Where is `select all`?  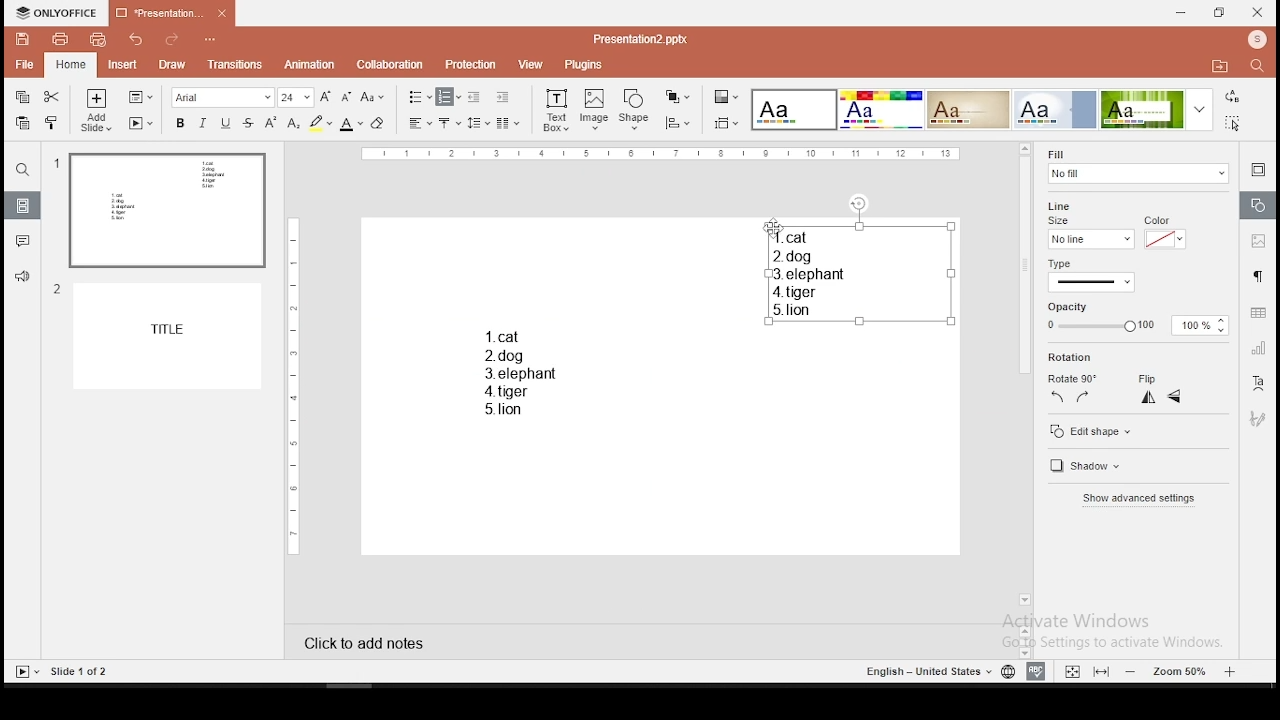
select all is located at coordinates (1236, 125).